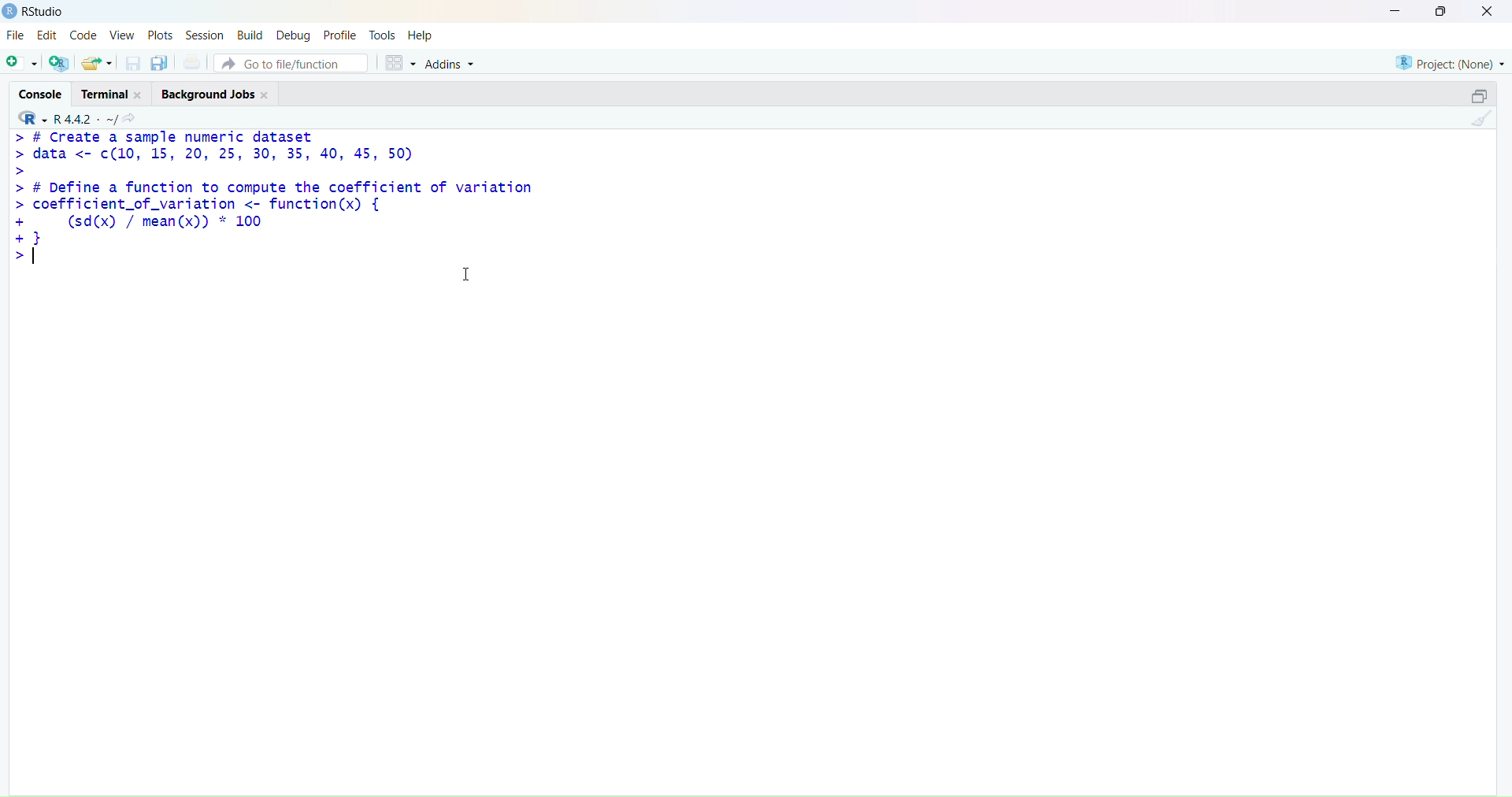 Image resolution: width=1512 pixels, height=797 pixels. Describe the element at coordinates (22, 64) in the screenshot. I see `add file as` at that location.